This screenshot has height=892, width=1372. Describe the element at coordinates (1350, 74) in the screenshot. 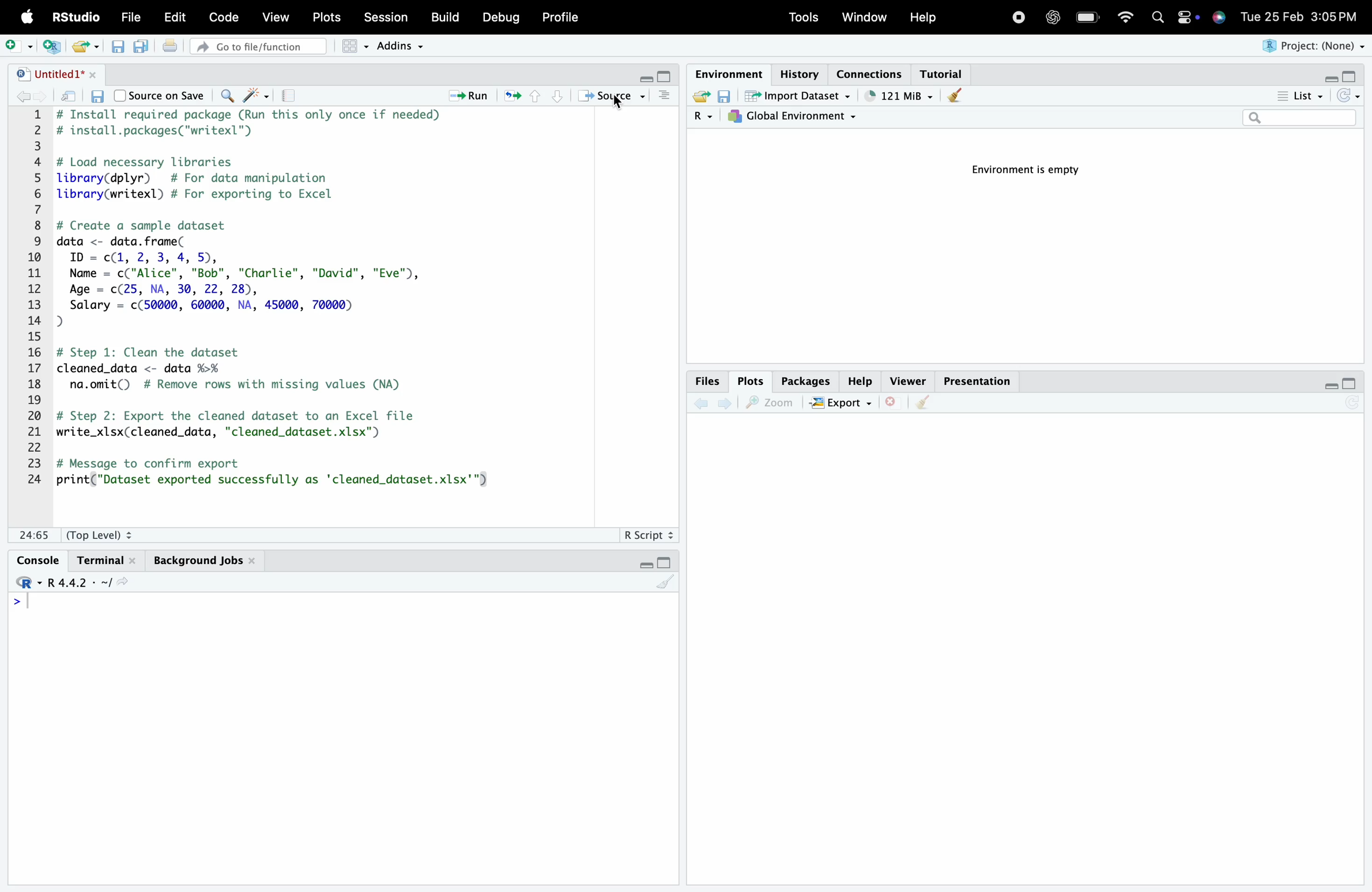

I see `Maximize/Restore` at that location.